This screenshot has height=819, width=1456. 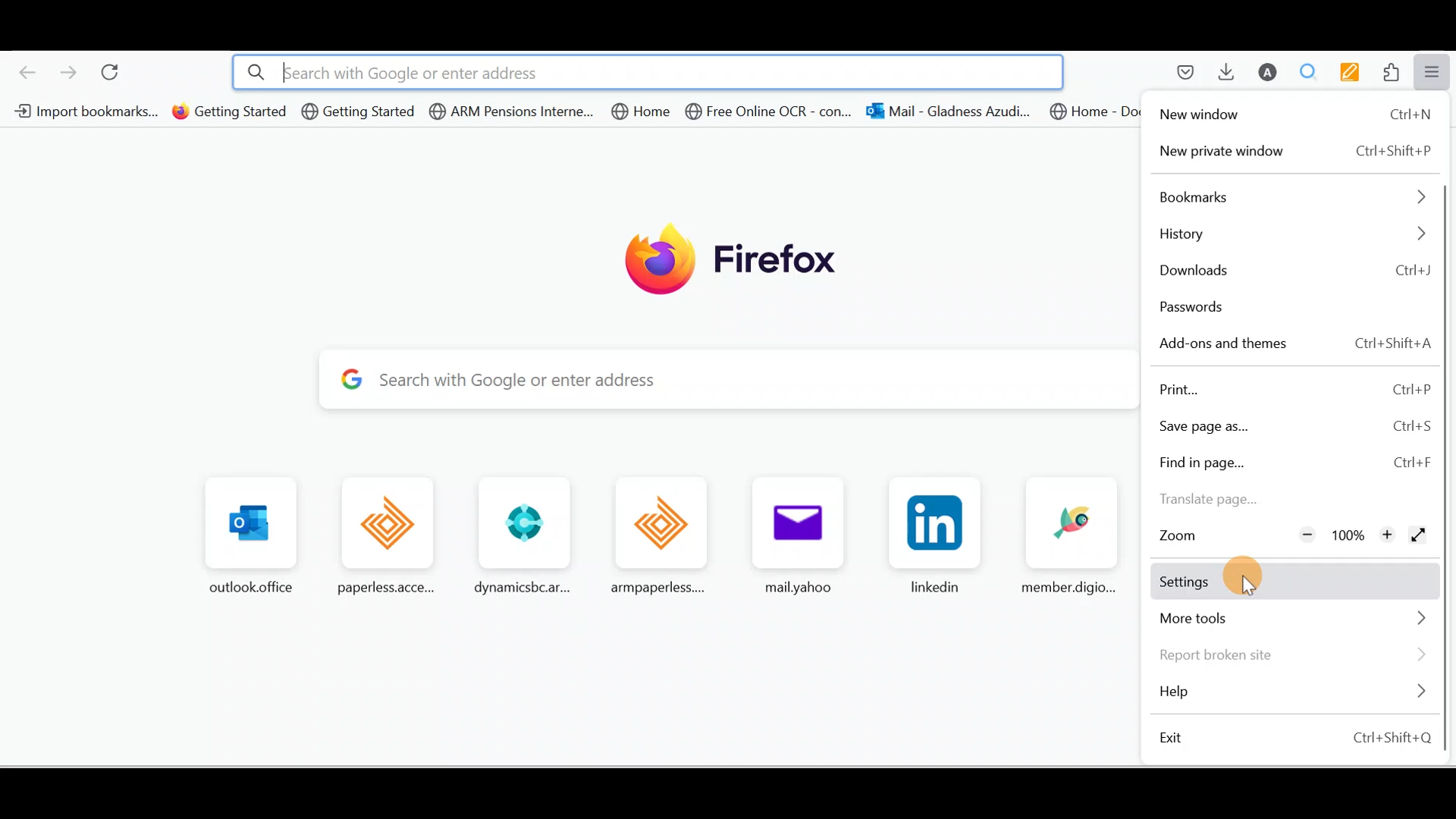 I want to click on New private window    Ctrl+Shift+P, so click(x=1300, y=151).